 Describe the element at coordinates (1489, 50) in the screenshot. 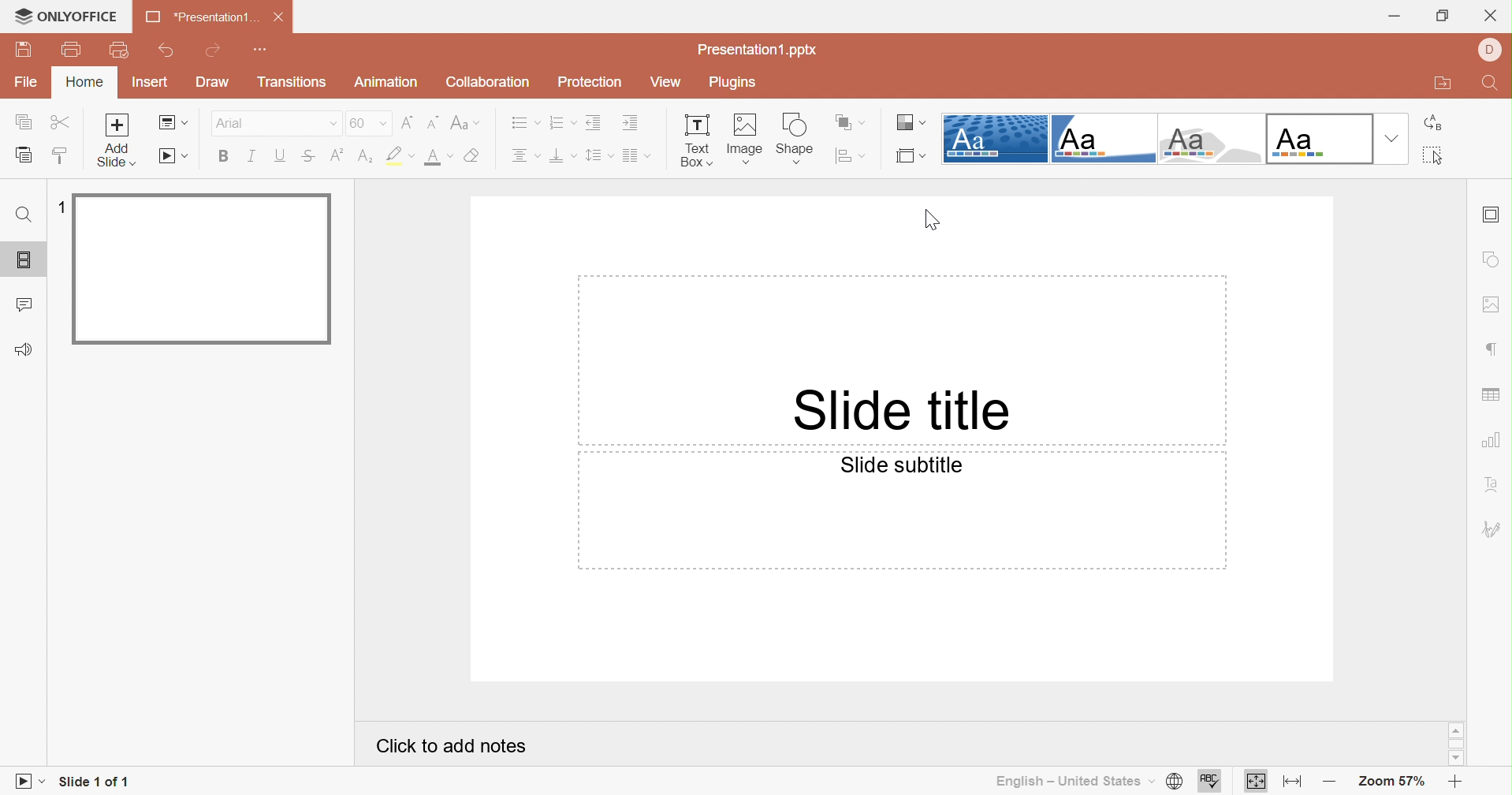

I see `DELL` at that location.